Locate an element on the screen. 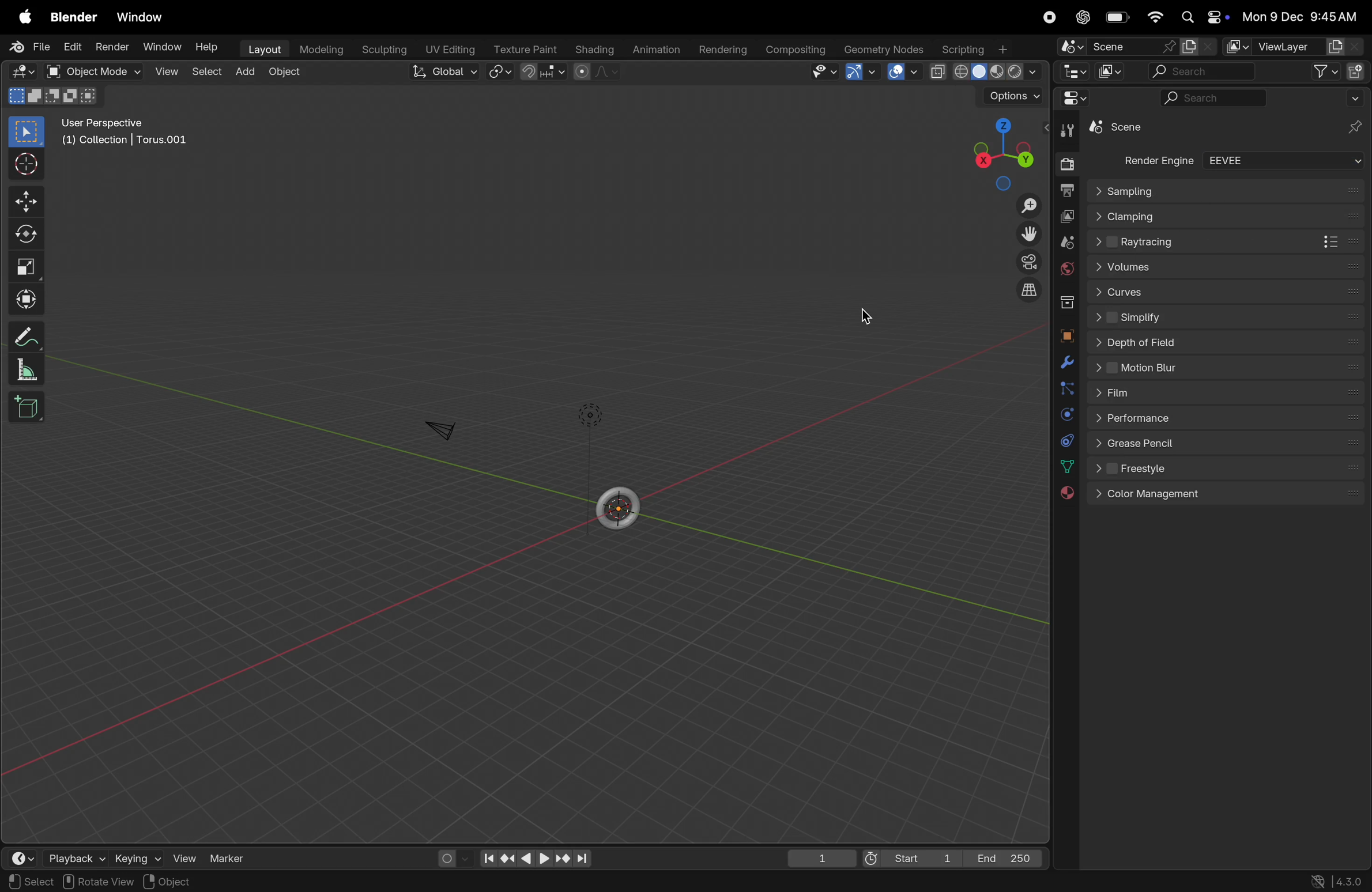 The width and height of the screenshot is (1372, 892). transform pviot is located at coordinates (496, 75).